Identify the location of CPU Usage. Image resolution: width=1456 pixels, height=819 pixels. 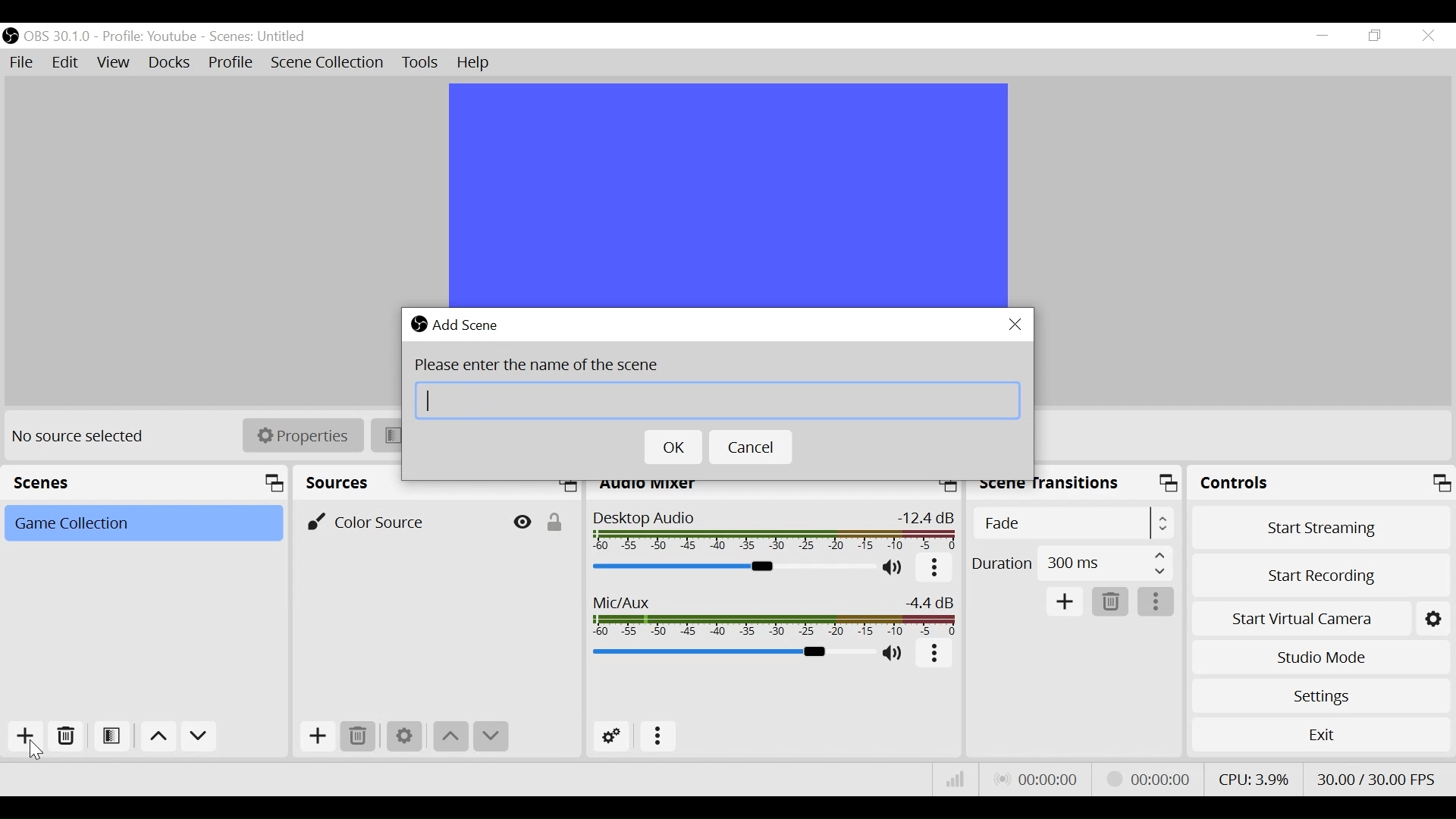
(1253, 777).